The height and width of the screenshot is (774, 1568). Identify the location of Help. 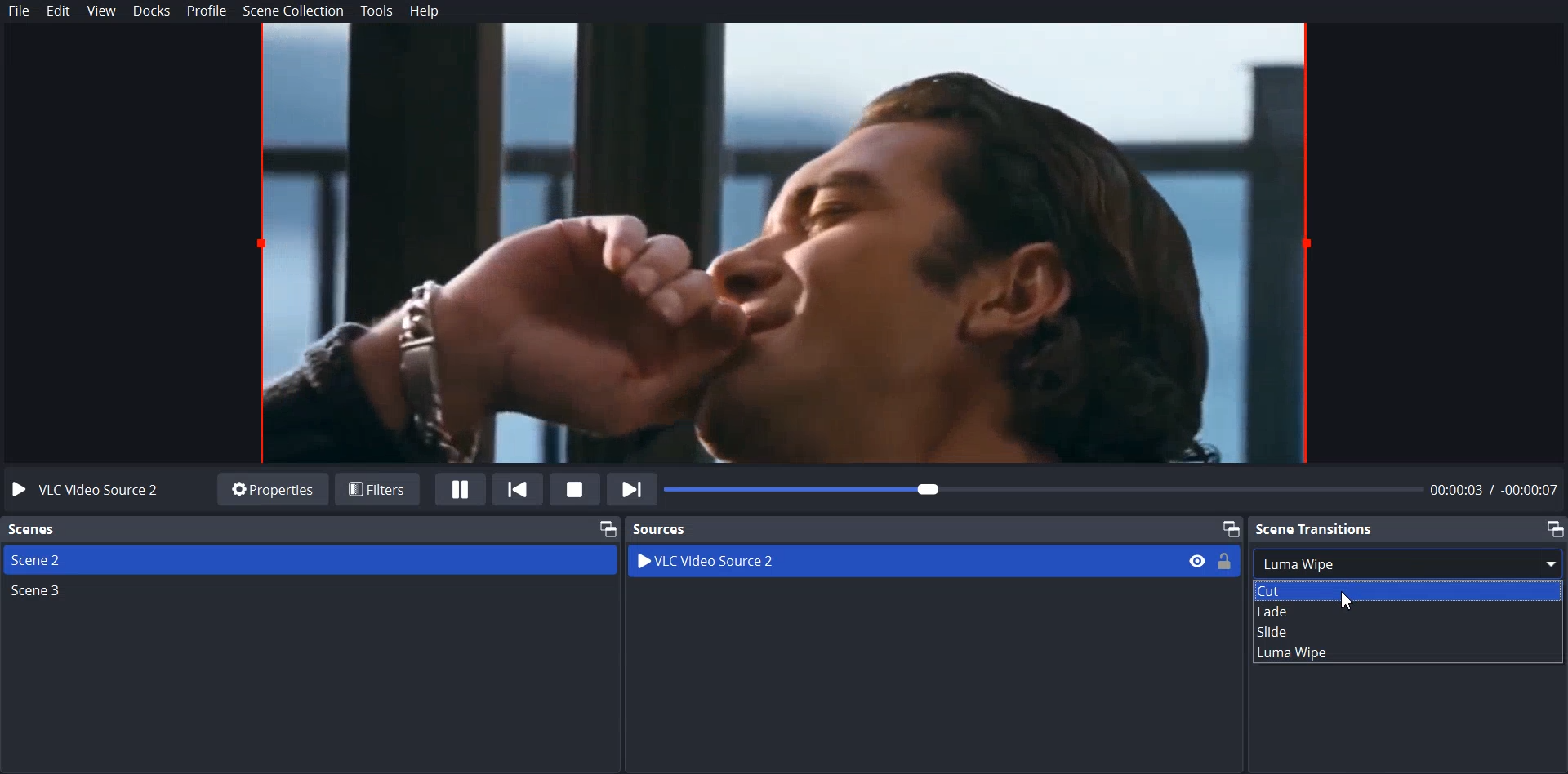
(425, 12).